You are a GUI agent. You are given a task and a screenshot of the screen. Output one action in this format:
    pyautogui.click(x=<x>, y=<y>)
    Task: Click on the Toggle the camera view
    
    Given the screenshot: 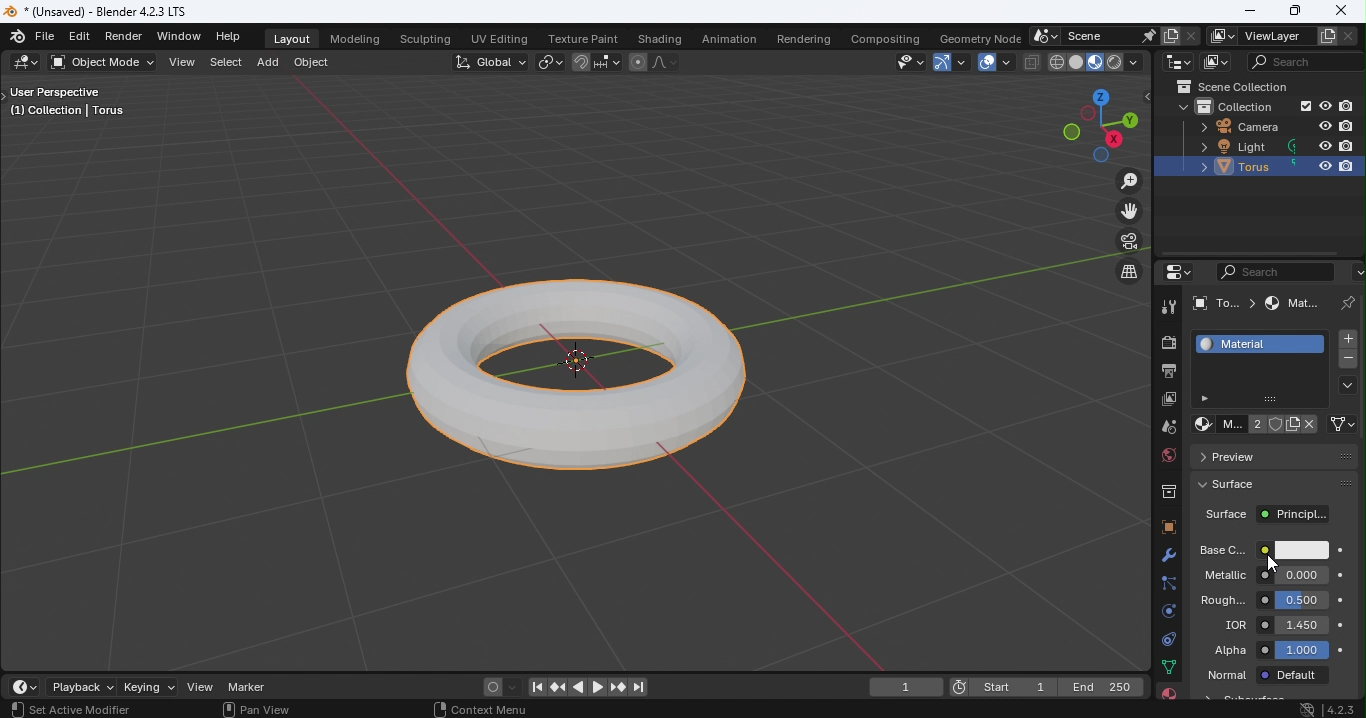 What is the action you would take?
    pyautogui.click(x=1126, y=240)
    